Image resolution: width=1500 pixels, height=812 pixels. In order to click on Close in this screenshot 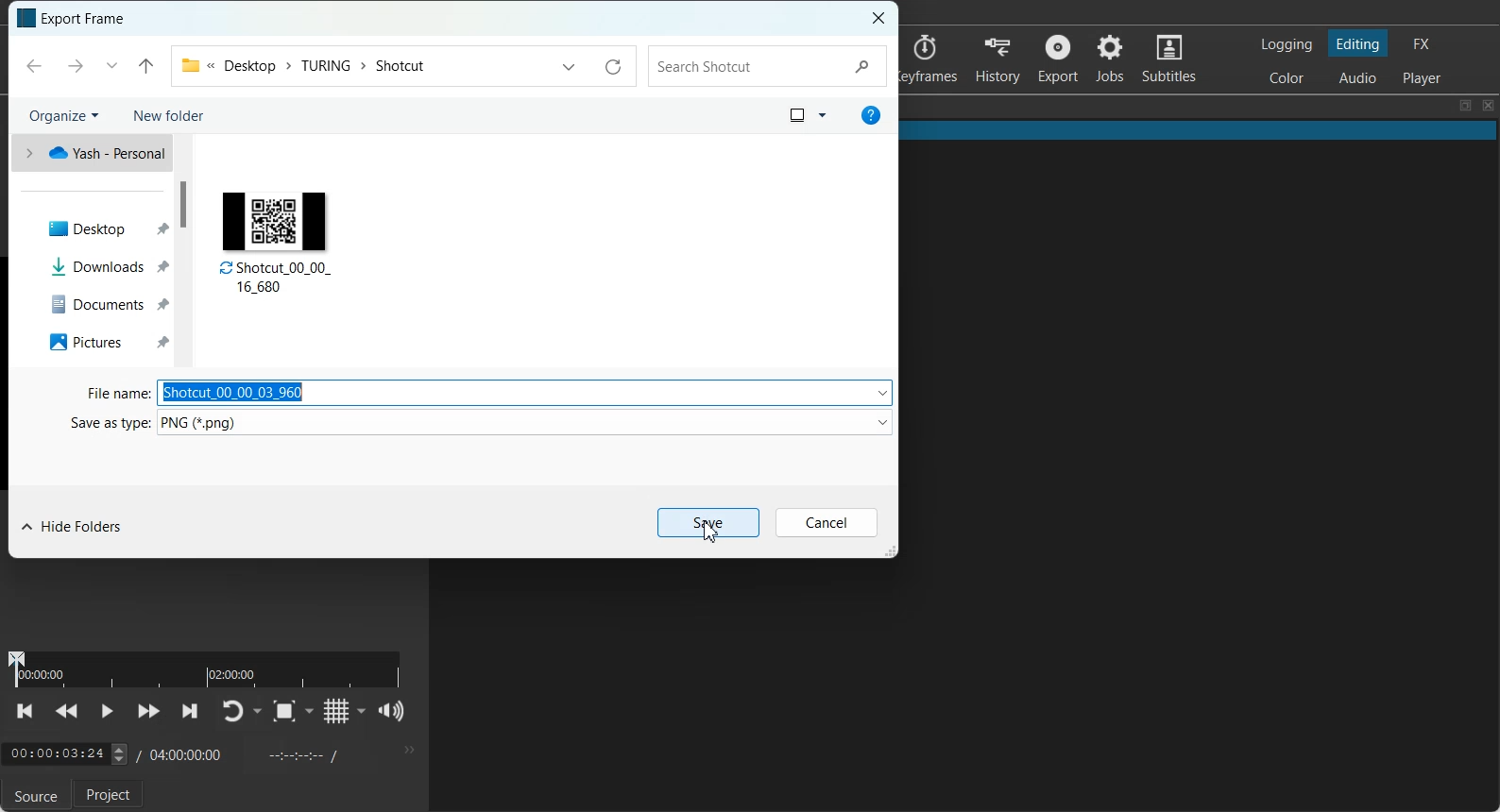, I will do `click(1489, 106)`.